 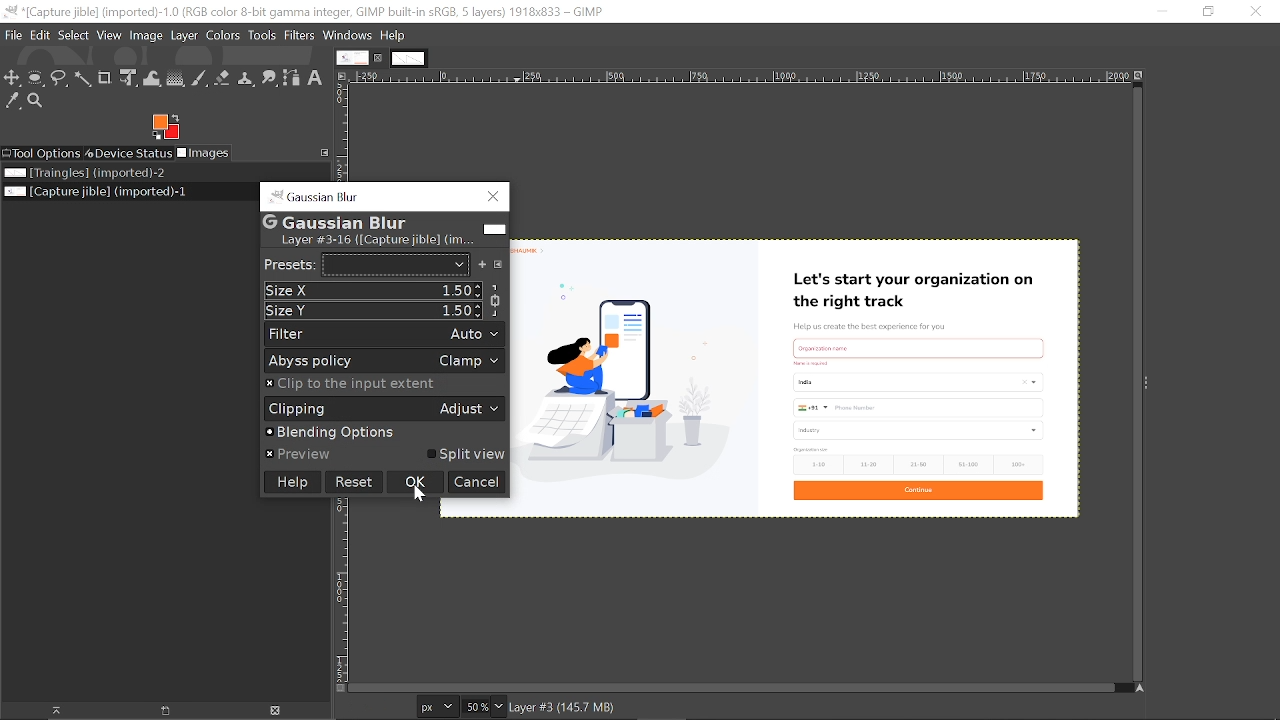 I want to click on Device status, so click(x=128, y=153).